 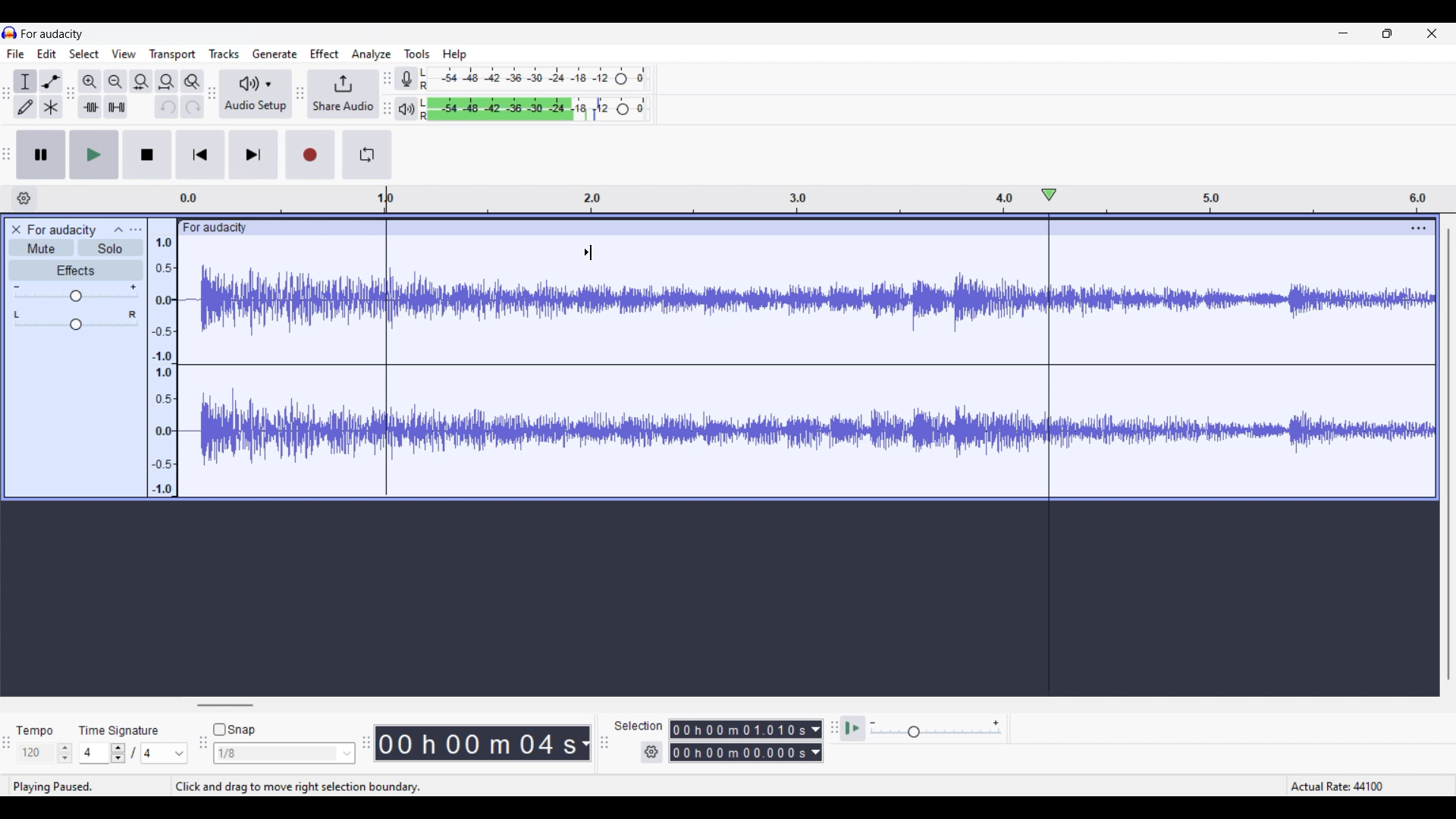 I want to click on Selection tool, so click(x=26, y=82).